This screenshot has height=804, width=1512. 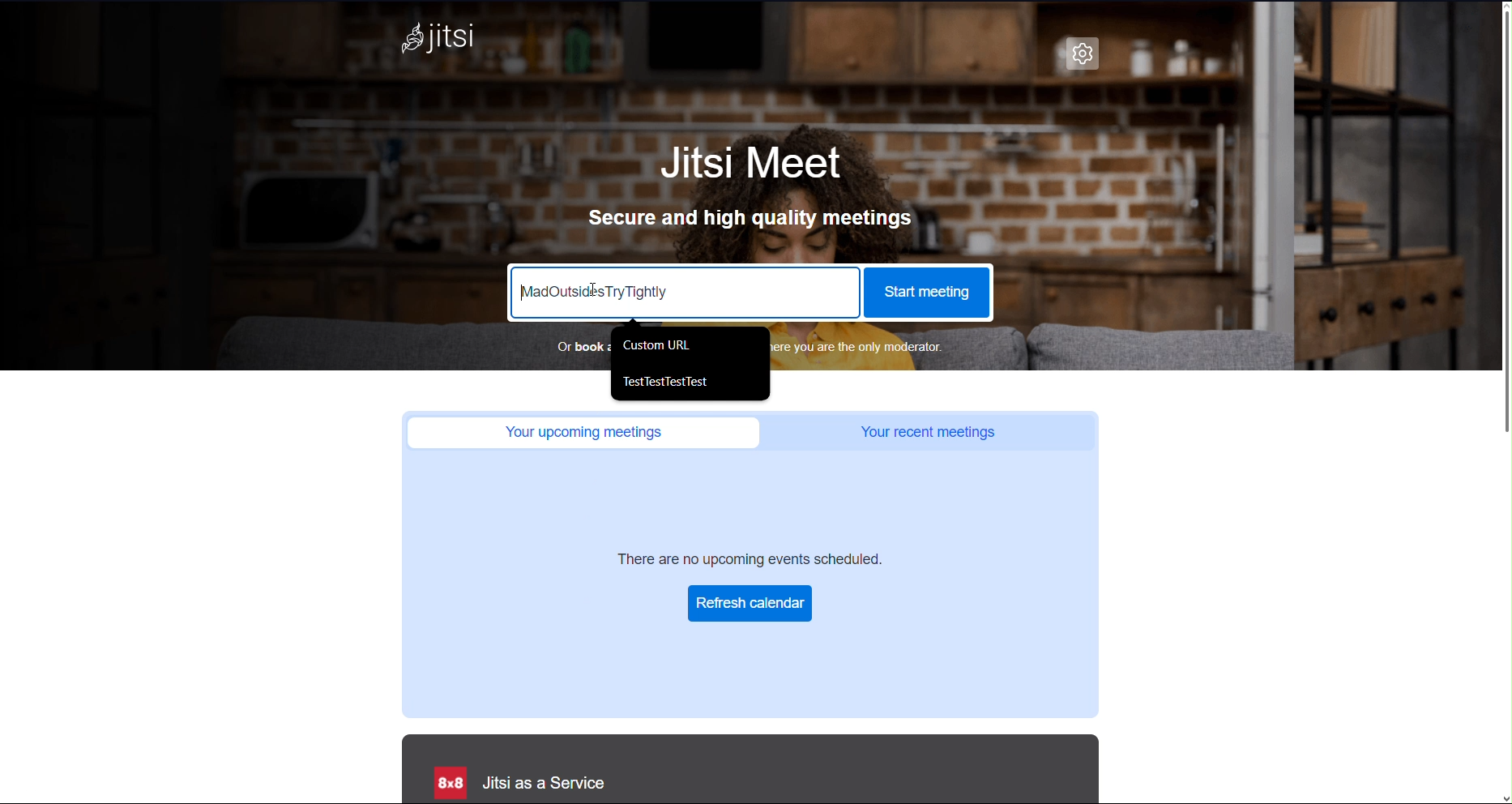 What do you see at coordinates (669, 383) in the screenshot?
I see `TestTestTestTest` at bounding box center [669, 383].